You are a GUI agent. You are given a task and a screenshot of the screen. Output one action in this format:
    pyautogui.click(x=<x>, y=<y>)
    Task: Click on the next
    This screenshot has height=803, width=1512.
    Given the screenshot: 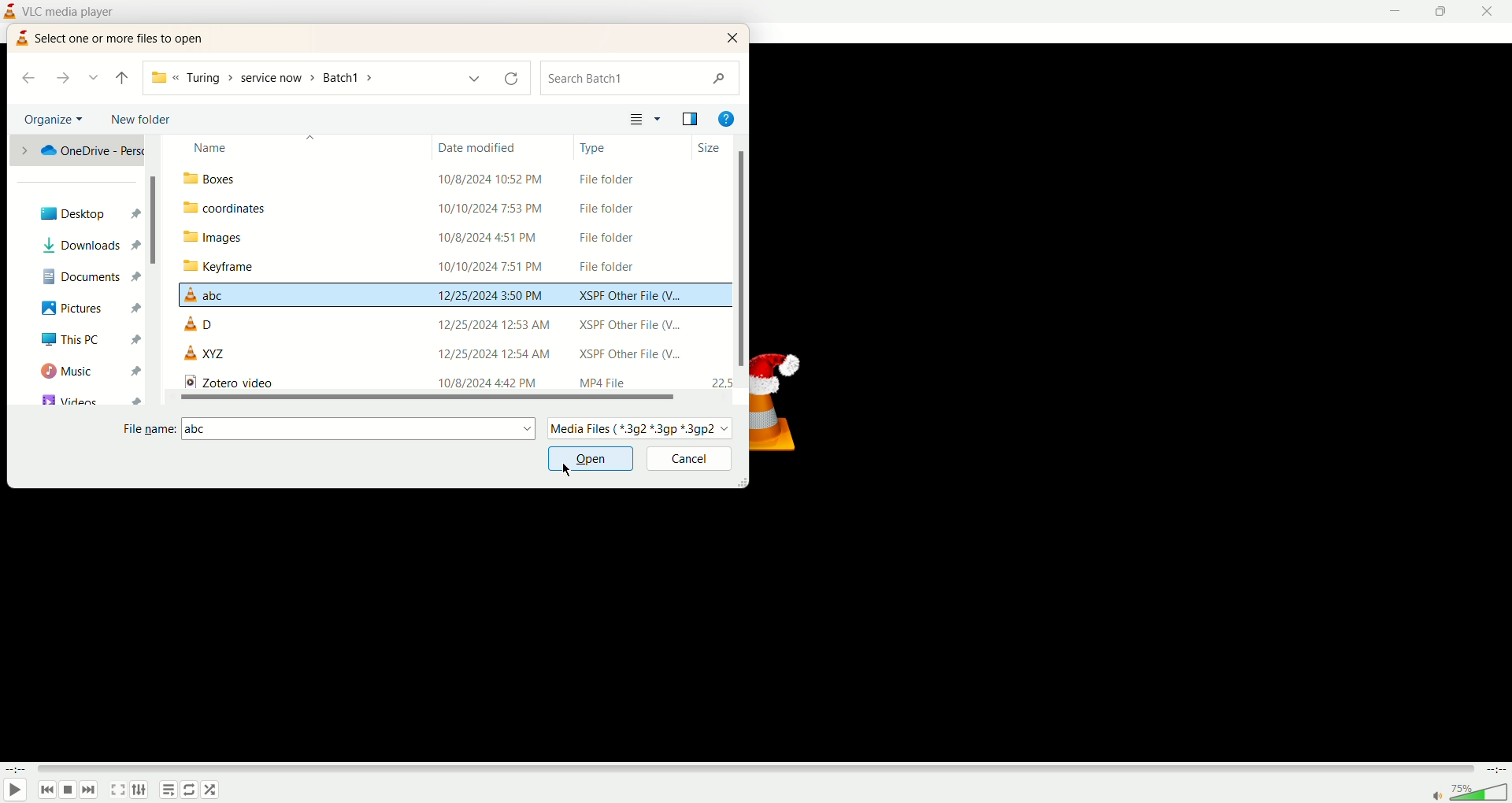 What is the action you would take?
    pyautogui.click(x=89, y=790)
    